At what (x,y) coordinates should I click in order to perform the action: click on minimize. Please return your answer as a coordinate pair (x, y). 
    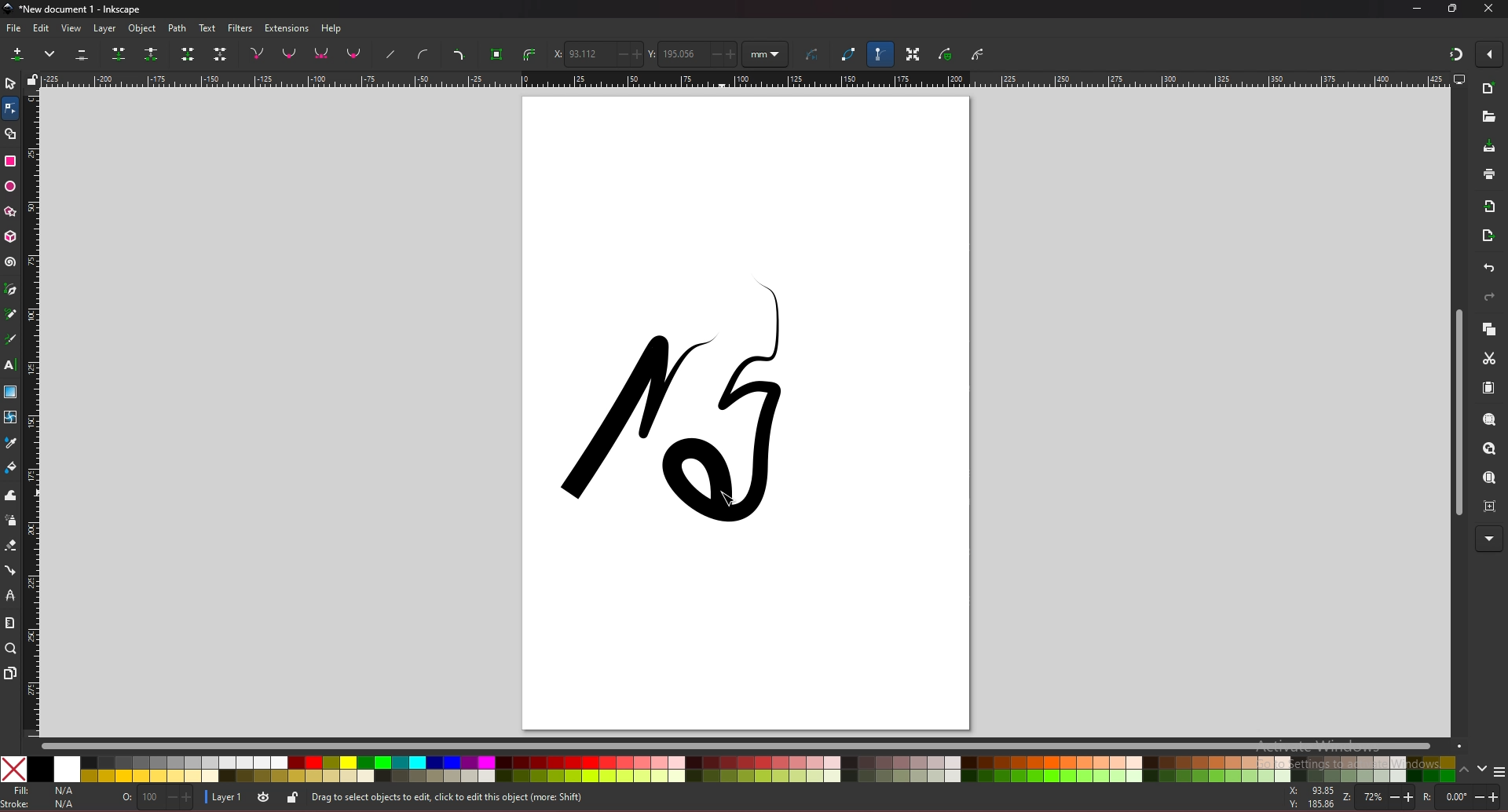
    Looking at the image, I should click on (1418, 9).